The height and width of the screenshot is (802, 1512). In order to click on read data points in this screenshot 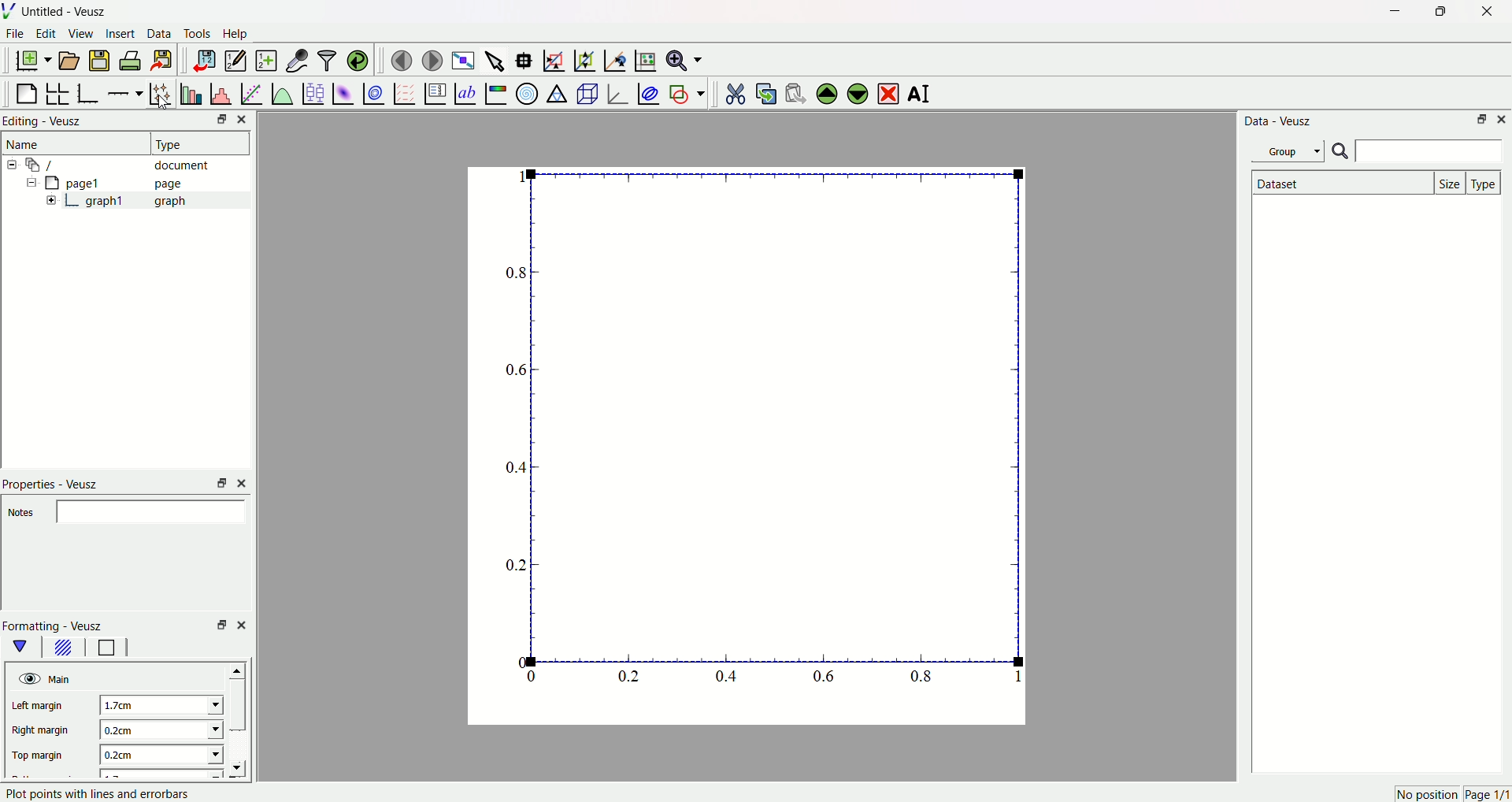, I will do `click(527, 58)`.